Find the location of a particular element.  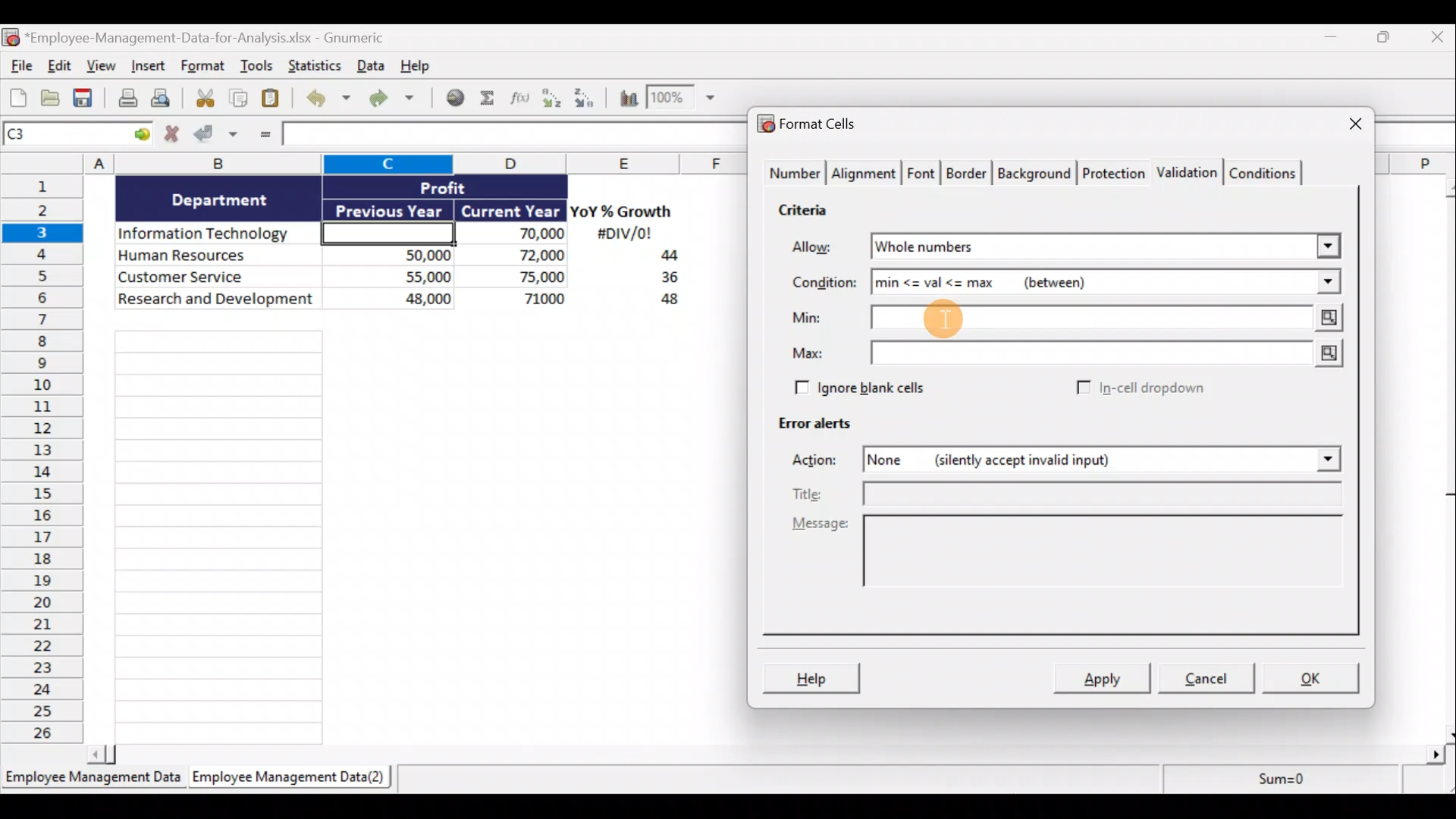

70,000 is located at coordinates (519, 234).